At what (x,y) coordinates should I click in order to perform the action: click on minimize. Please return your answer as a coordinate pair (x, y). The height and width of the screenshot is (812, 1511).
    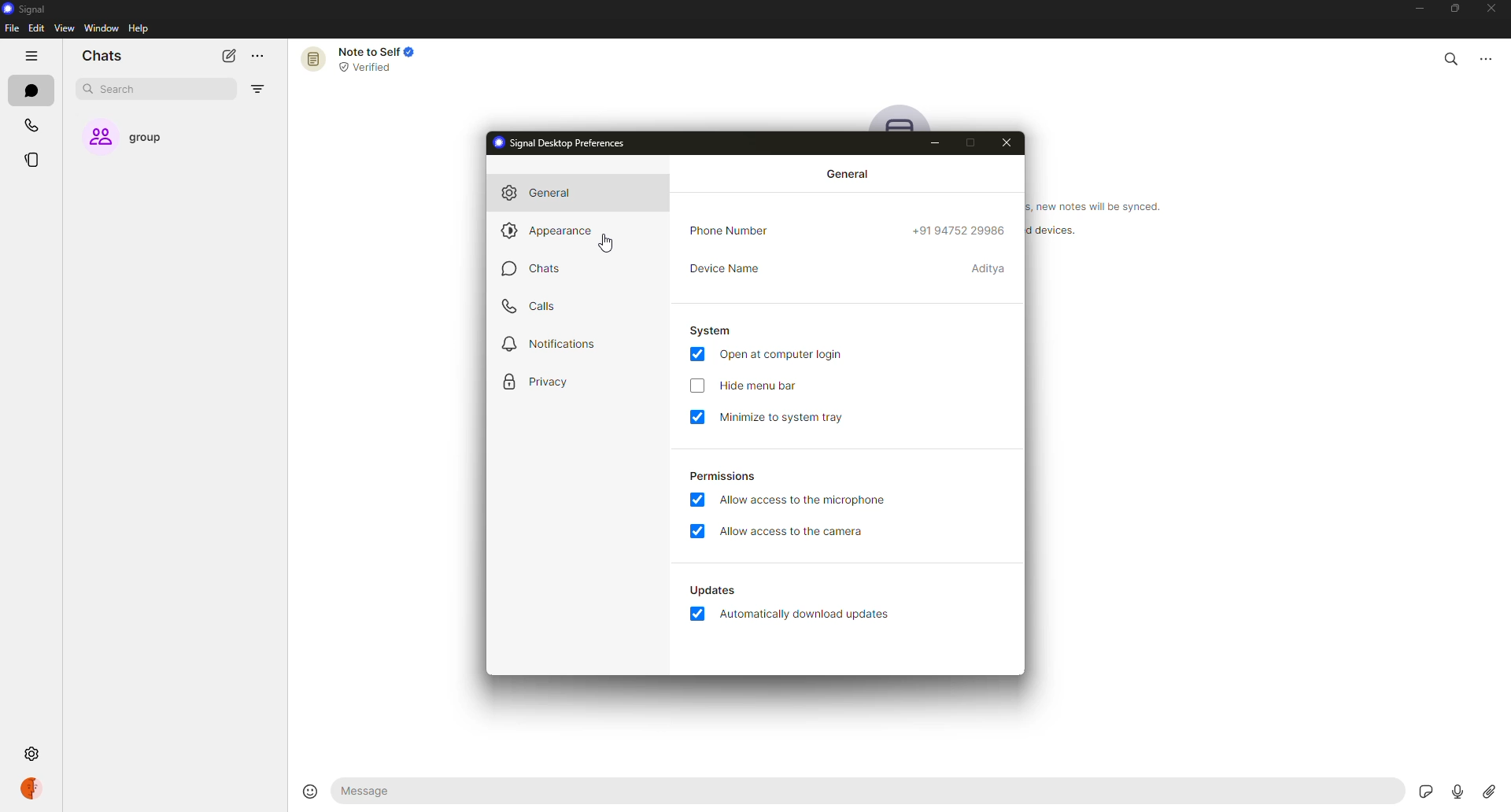
    Looking at the image, I should click on (1412, 10).